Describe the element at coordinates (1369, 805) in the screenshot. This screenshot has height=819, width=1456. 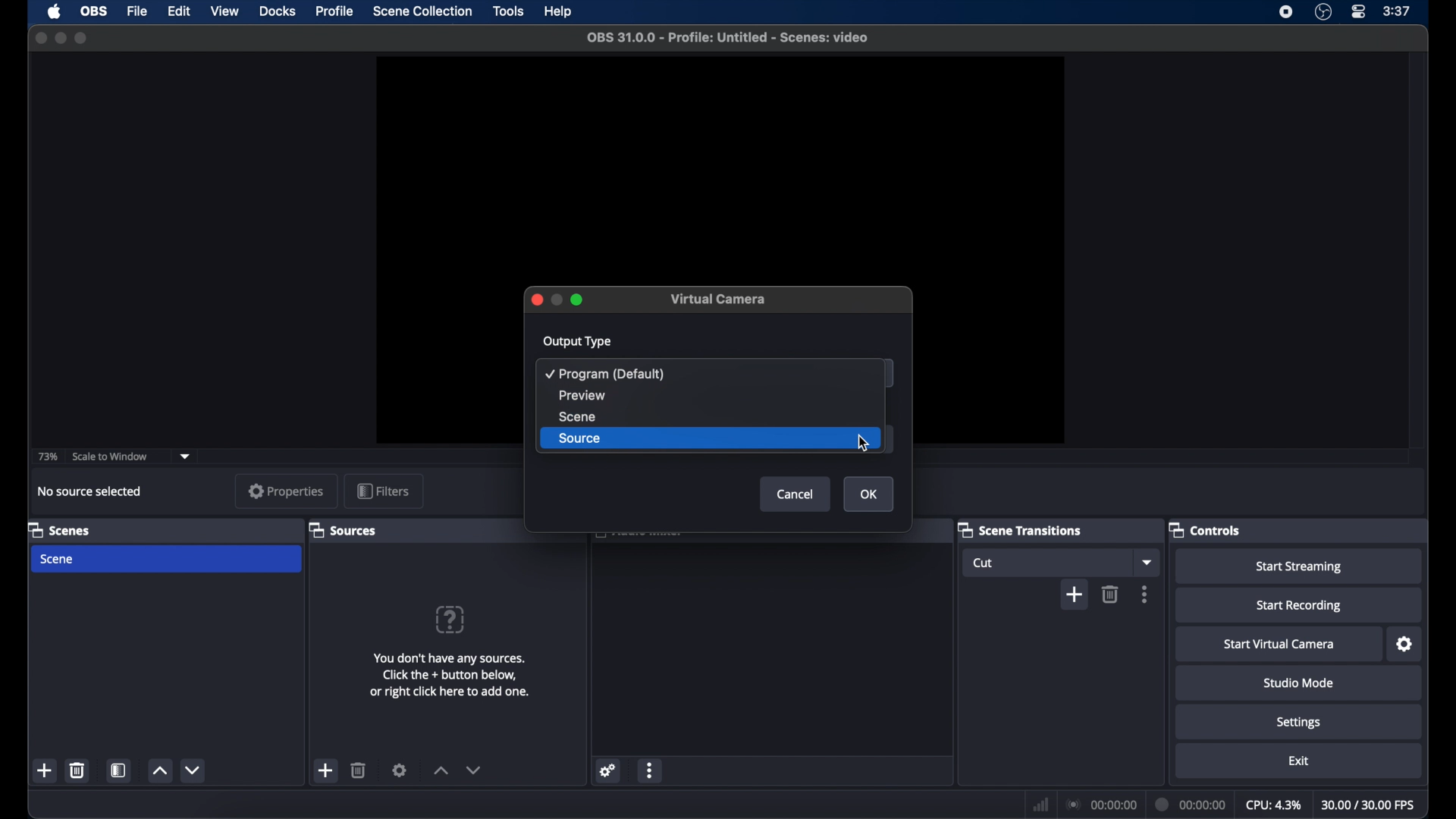
I see `fps` at that location.